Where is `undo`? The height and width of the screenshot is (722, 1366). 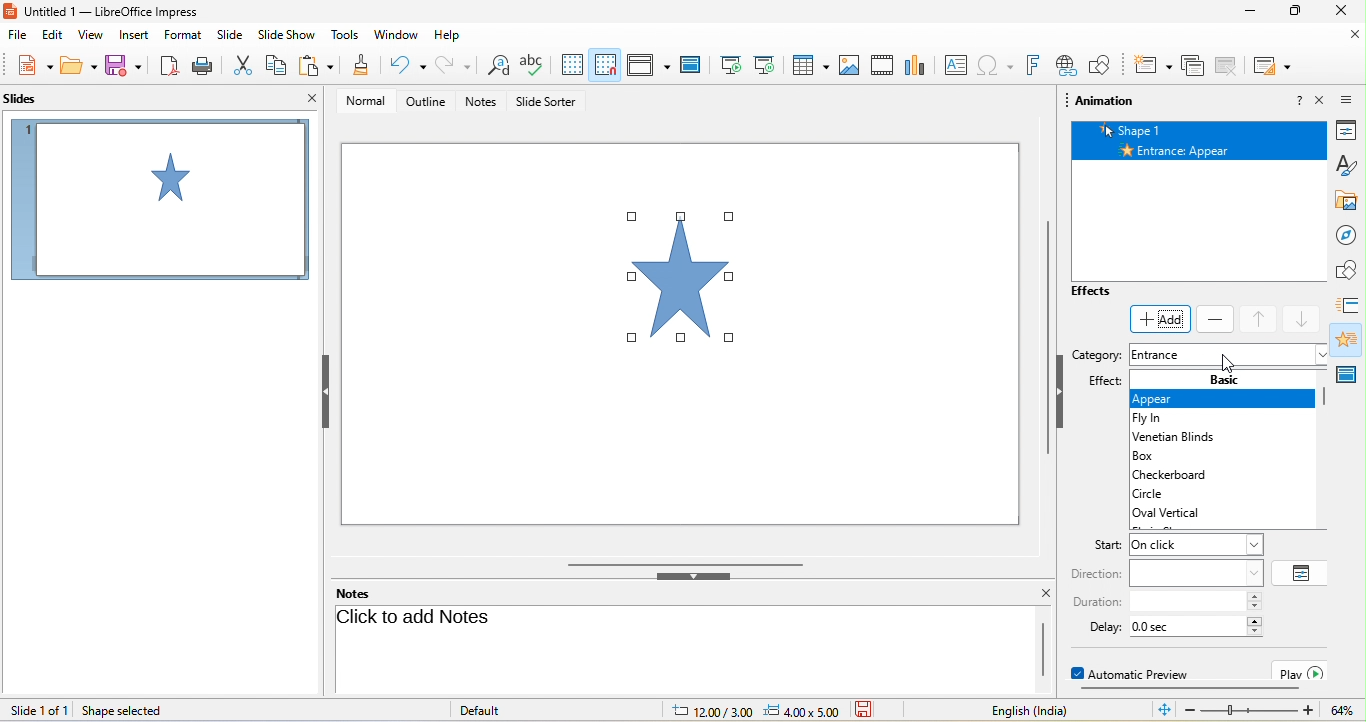 undo is located at coordinates (403, 65).